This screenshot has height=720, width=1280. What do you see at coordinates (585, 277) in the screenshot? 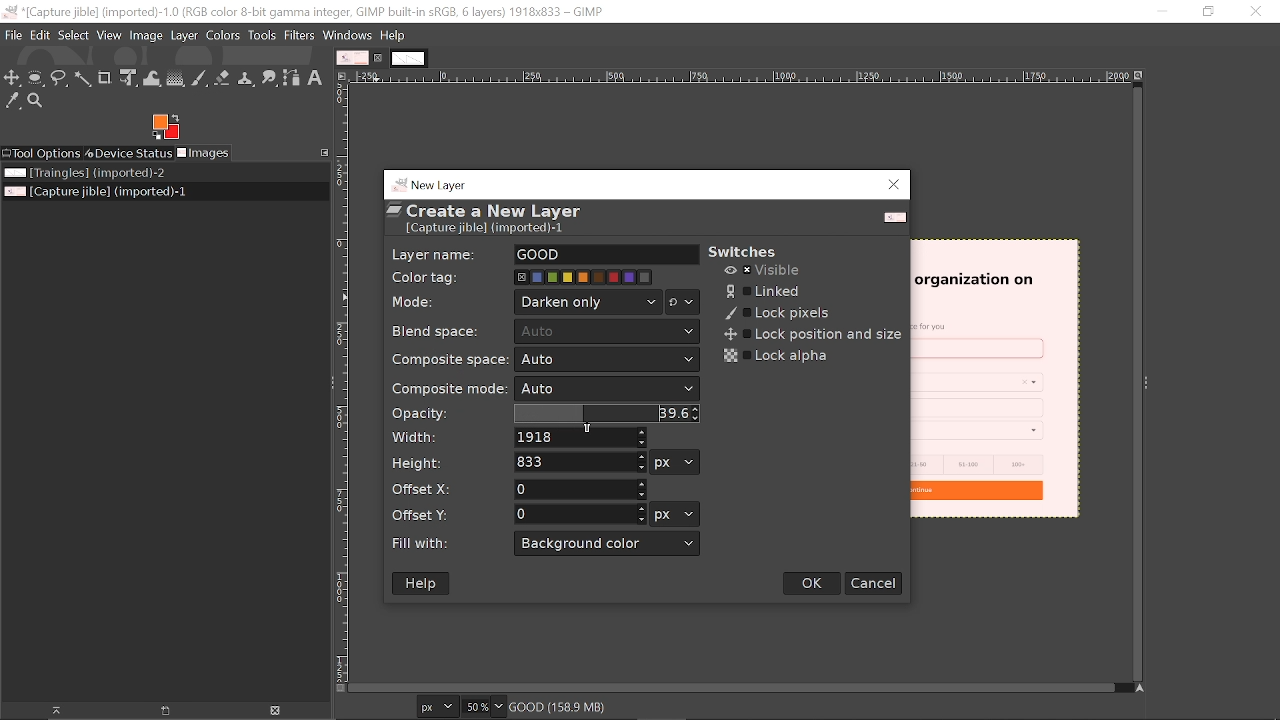
I see `Color tag` at bounding box center [585, 277].